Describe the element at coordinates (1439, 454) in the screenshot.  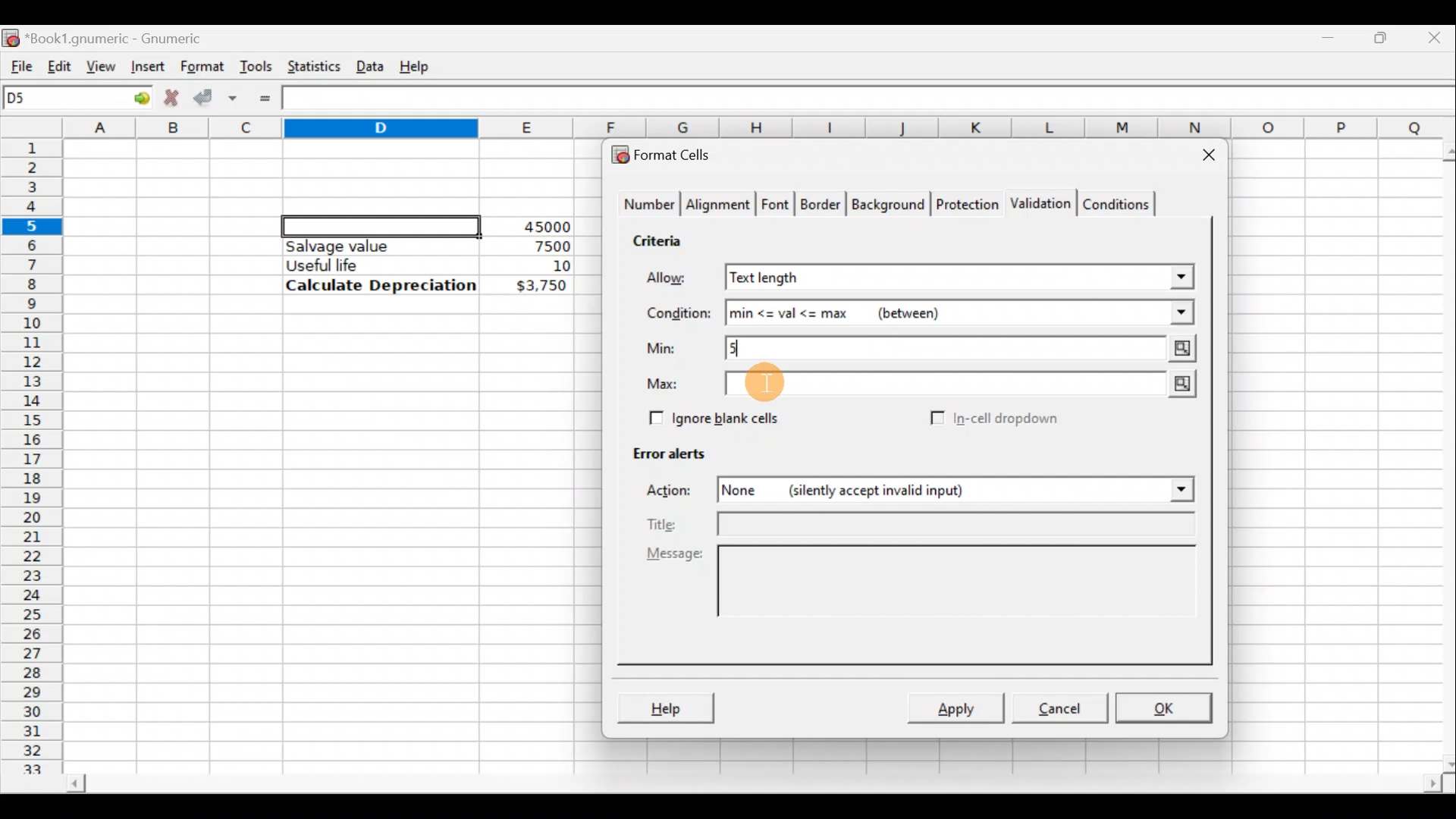
I see `Scroll bar` at that location.